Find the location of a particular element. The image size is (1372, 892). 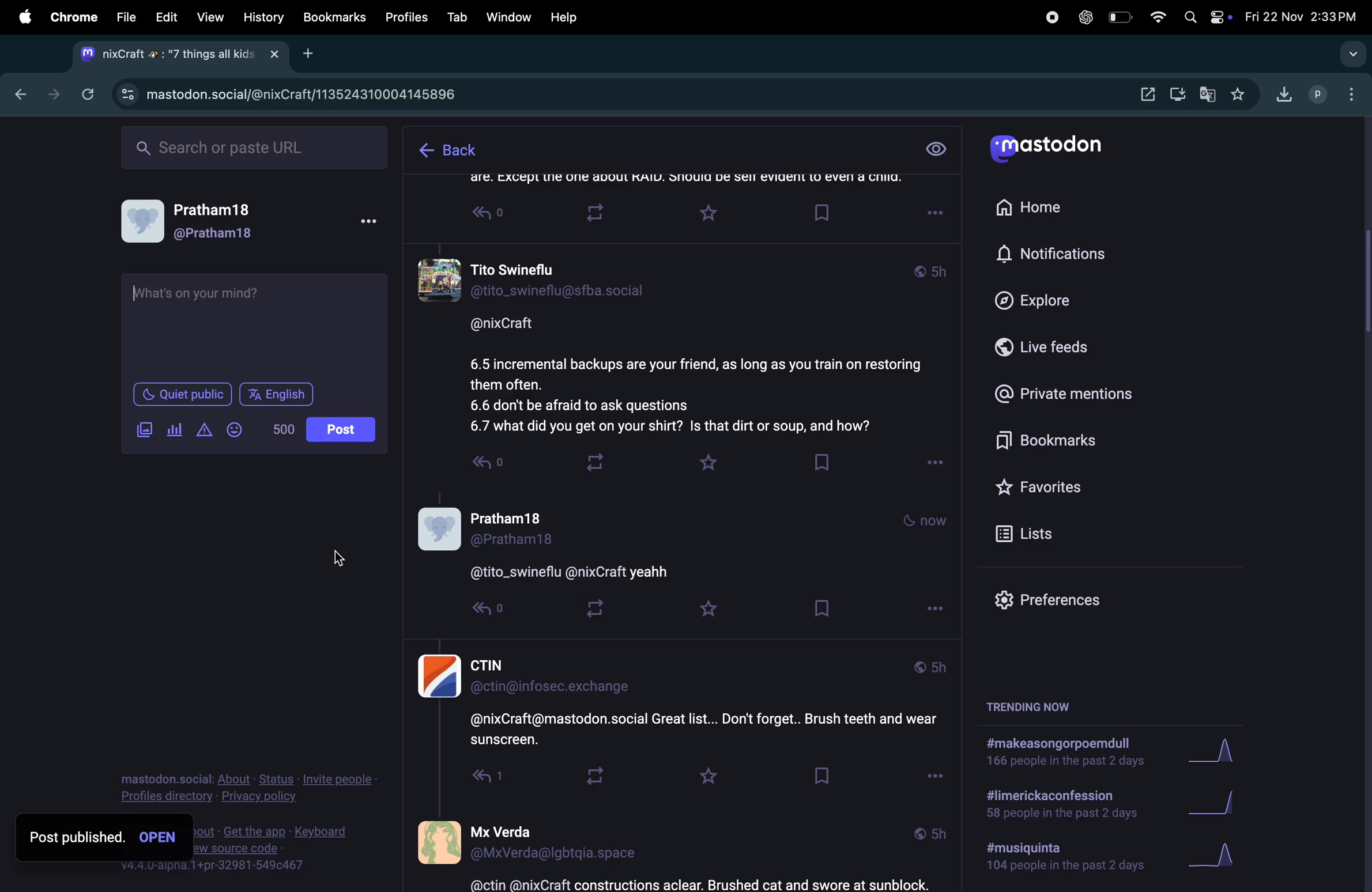

back is located at coordinates (446, 152).